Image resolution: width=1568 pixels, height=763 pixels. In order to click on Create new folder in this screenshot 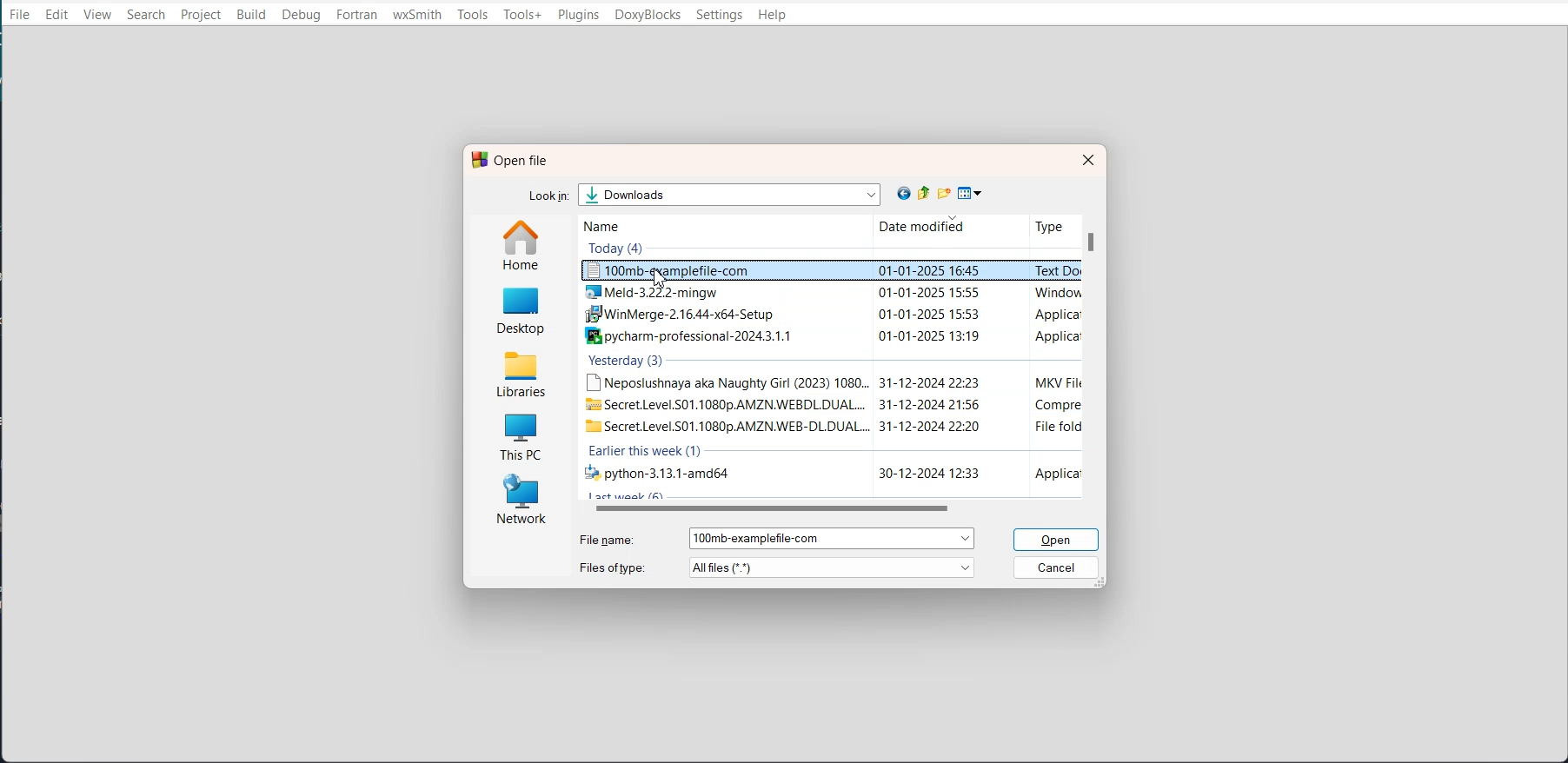, I will do `click(947, 193)`.